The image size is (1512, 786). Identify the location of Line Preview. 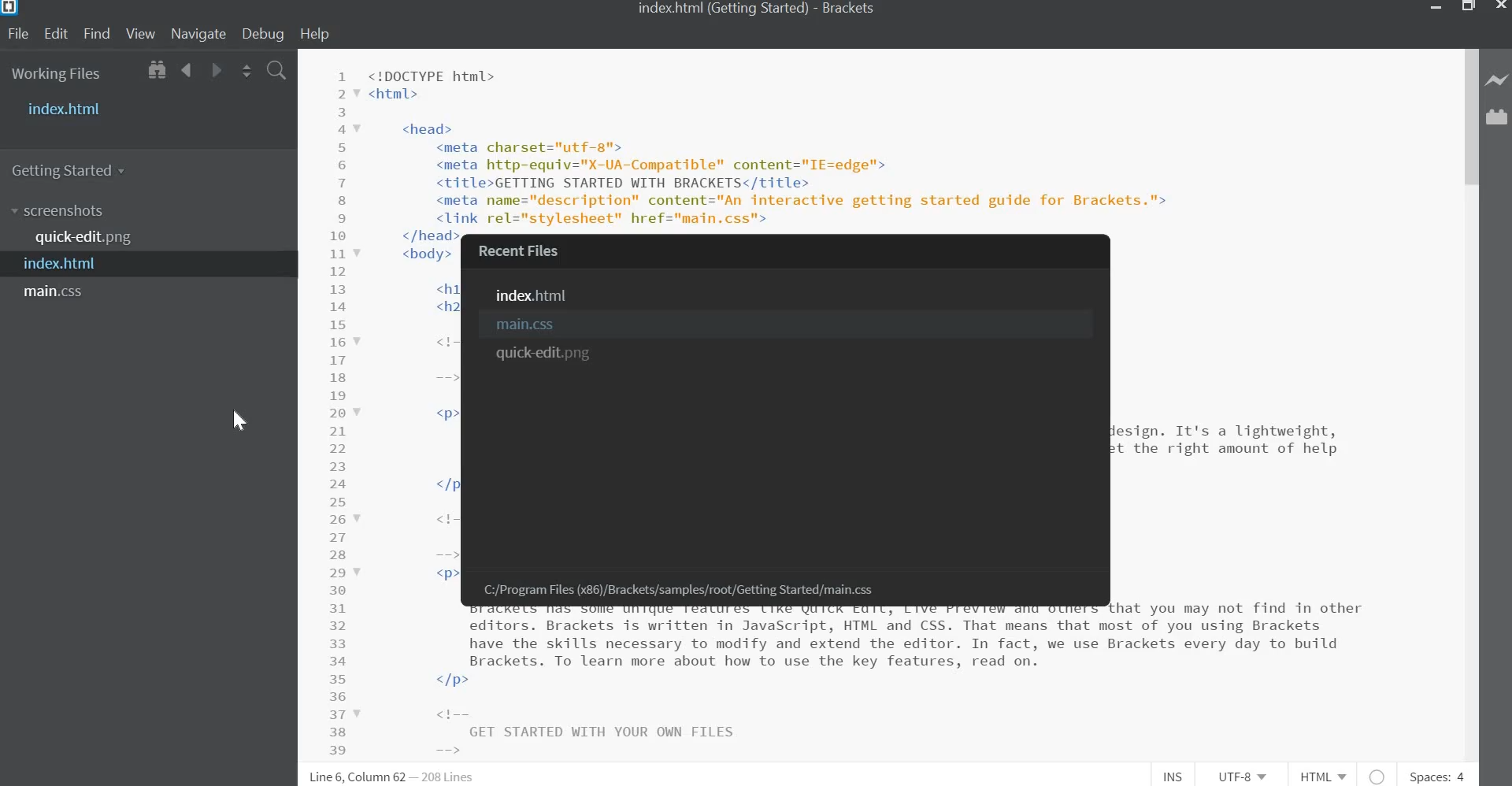
(1498, 81).